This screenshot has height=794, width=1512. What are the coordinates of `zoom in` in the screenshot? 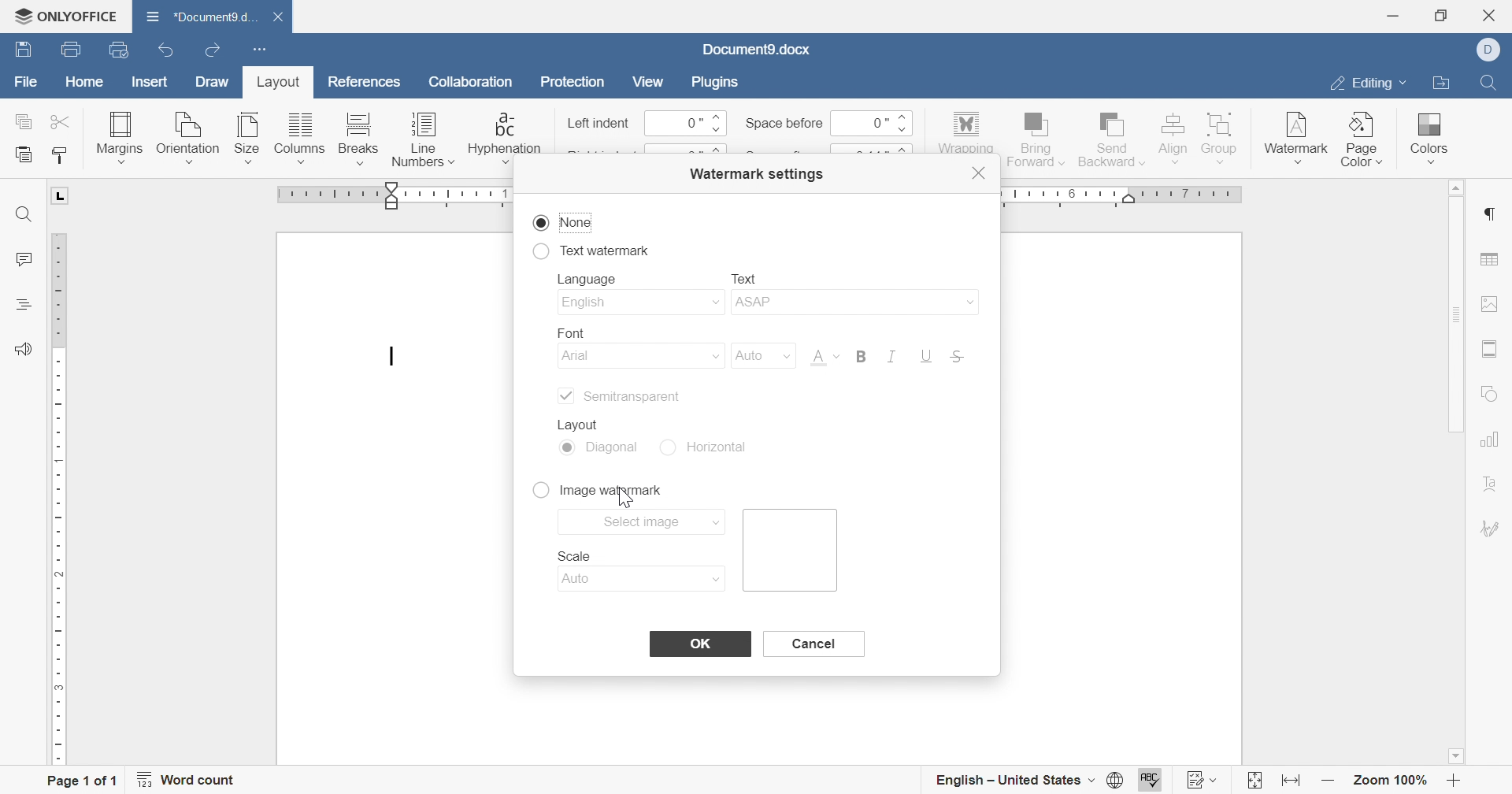 It's located at (1454, 783).